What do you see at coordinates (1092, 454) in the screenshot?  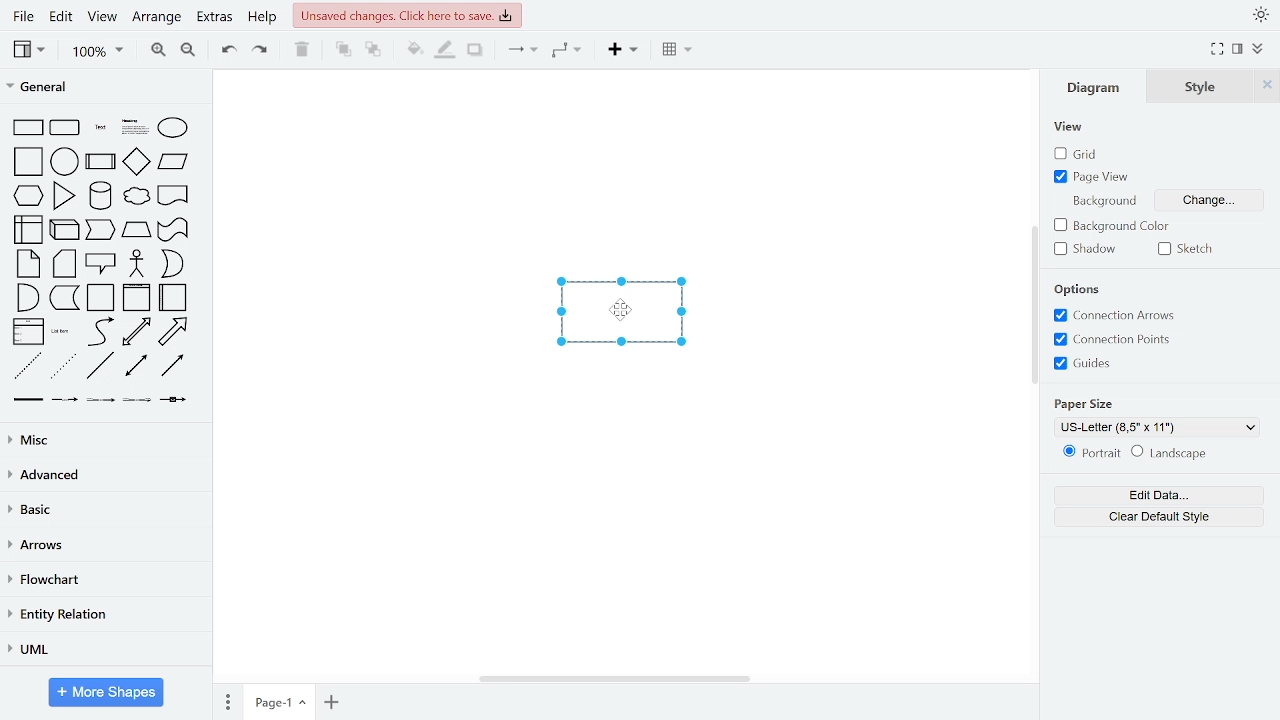 I see `portrait` at bounding box center [1092, 454].